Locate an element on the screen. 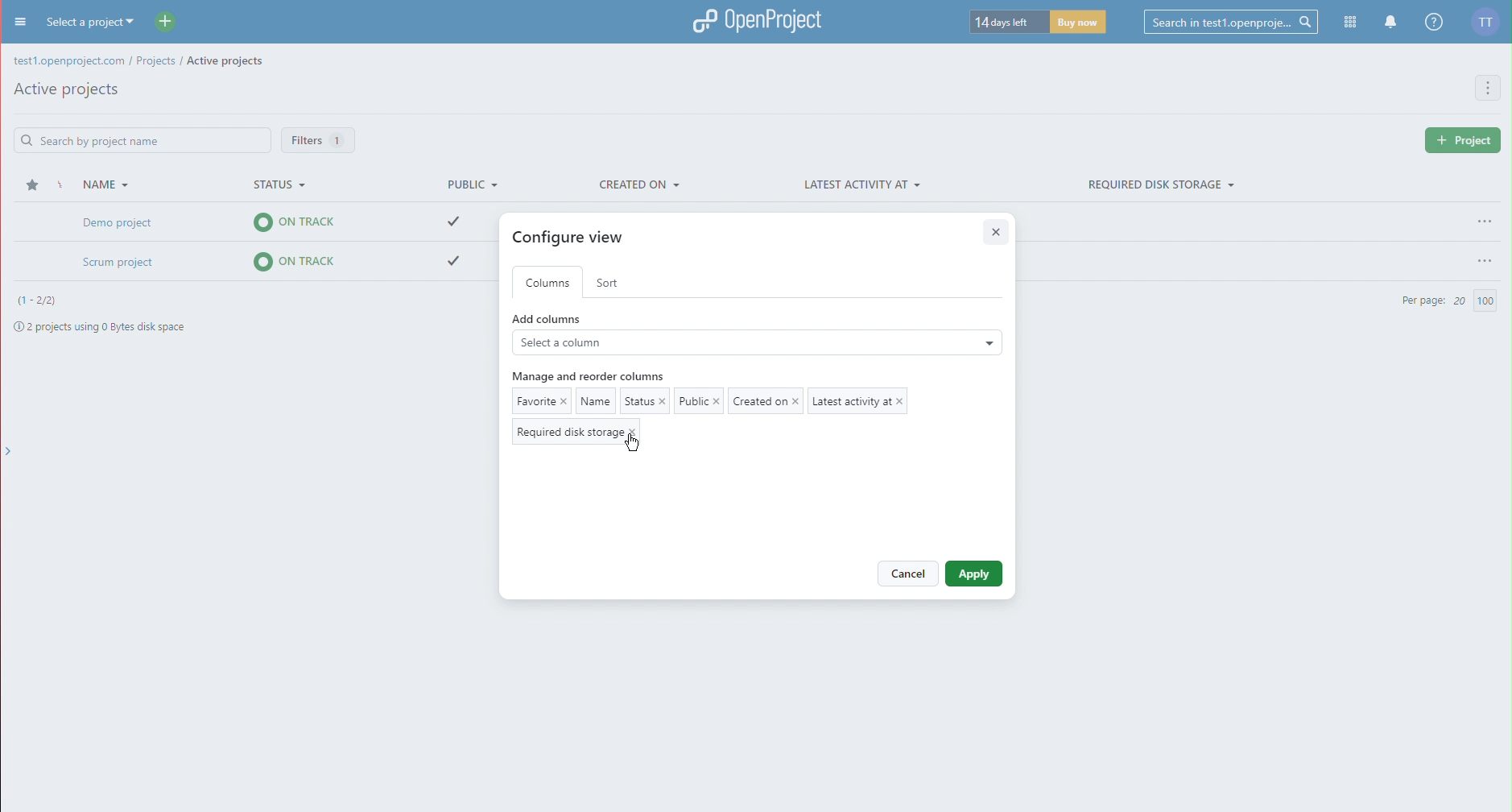 The image size is (1512, 812). Cancel is located at coordinates (907, 573).